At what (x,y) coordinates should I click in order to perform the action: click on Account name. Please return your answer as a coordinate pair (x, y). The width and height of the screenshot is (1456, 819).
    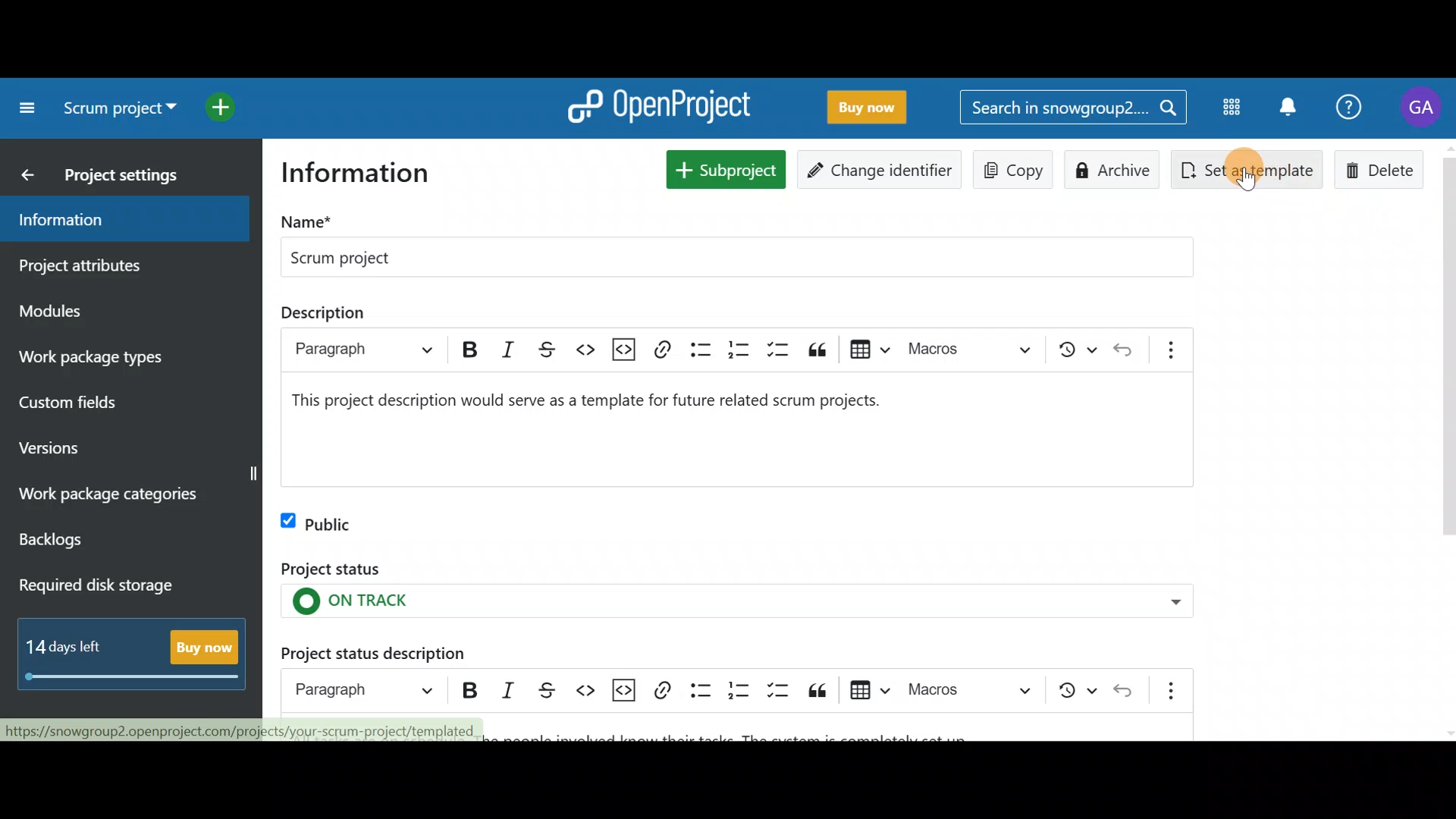
    Looking at the image, I should click on (1424, 108).